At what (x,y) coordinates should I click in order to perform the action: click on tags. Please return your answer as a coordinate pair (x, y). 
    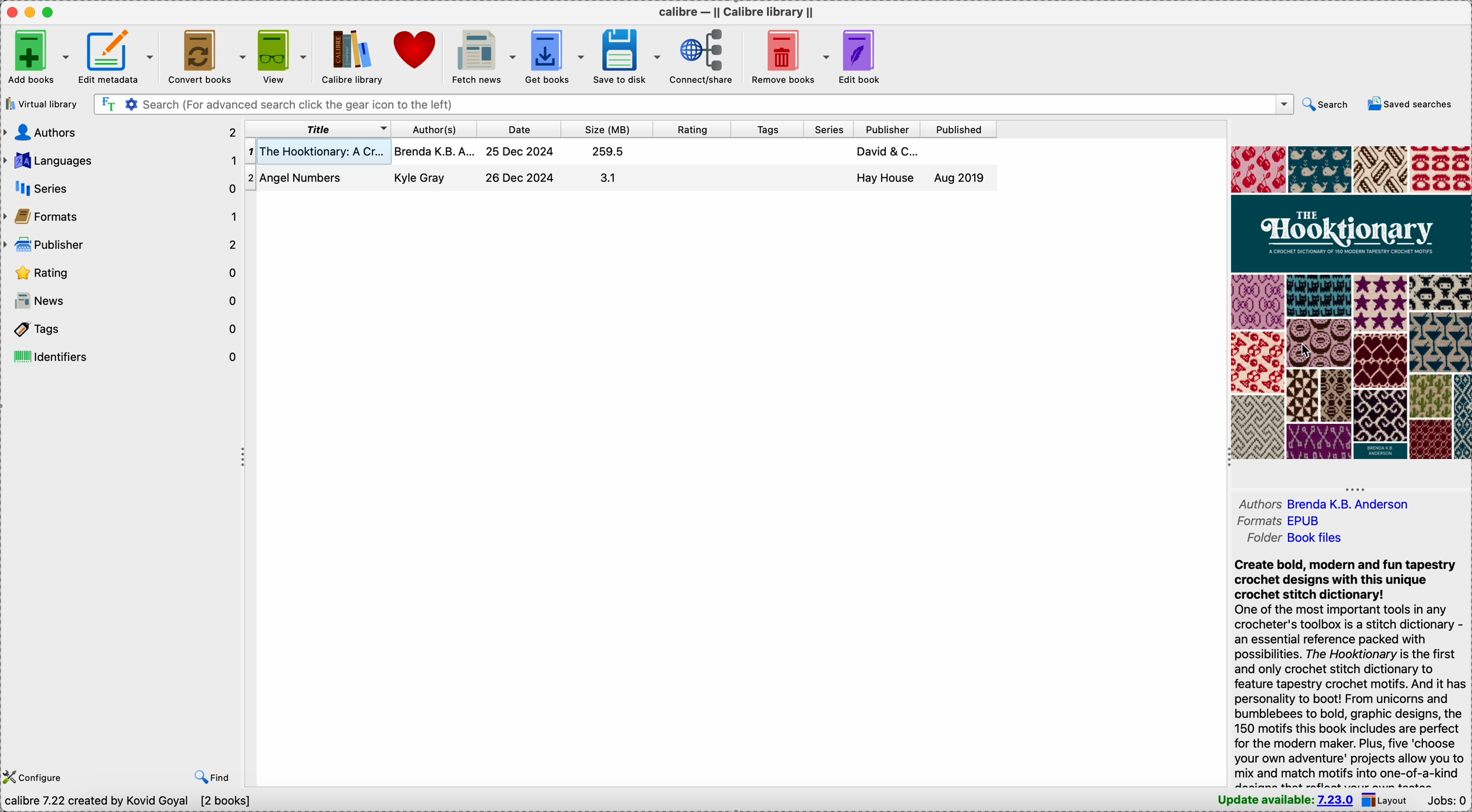
    Looking at the image, I should click on (766, 129).